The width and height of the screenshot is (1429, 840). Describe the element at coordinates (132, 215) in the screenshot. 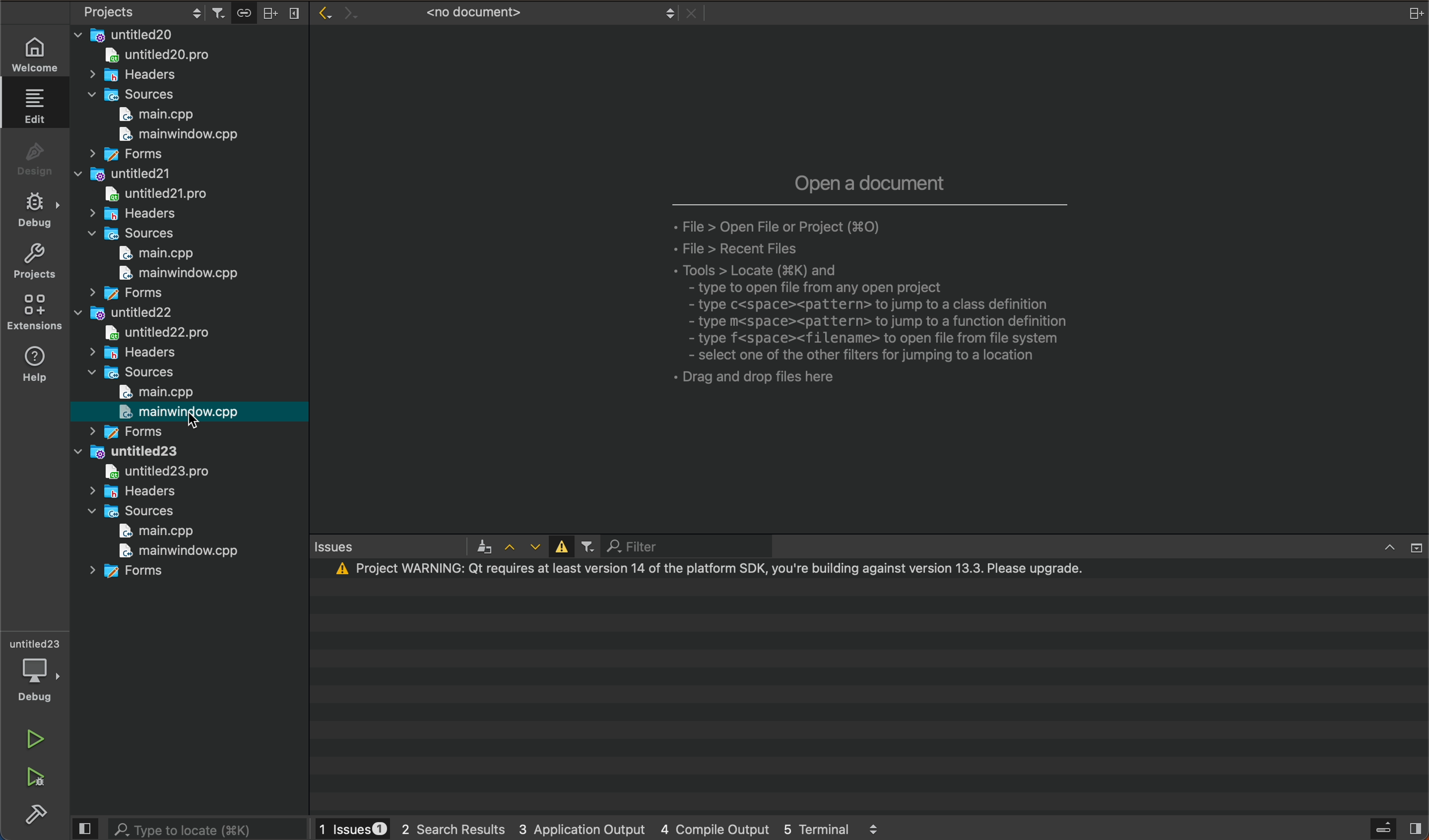

I see `headers` at that location.